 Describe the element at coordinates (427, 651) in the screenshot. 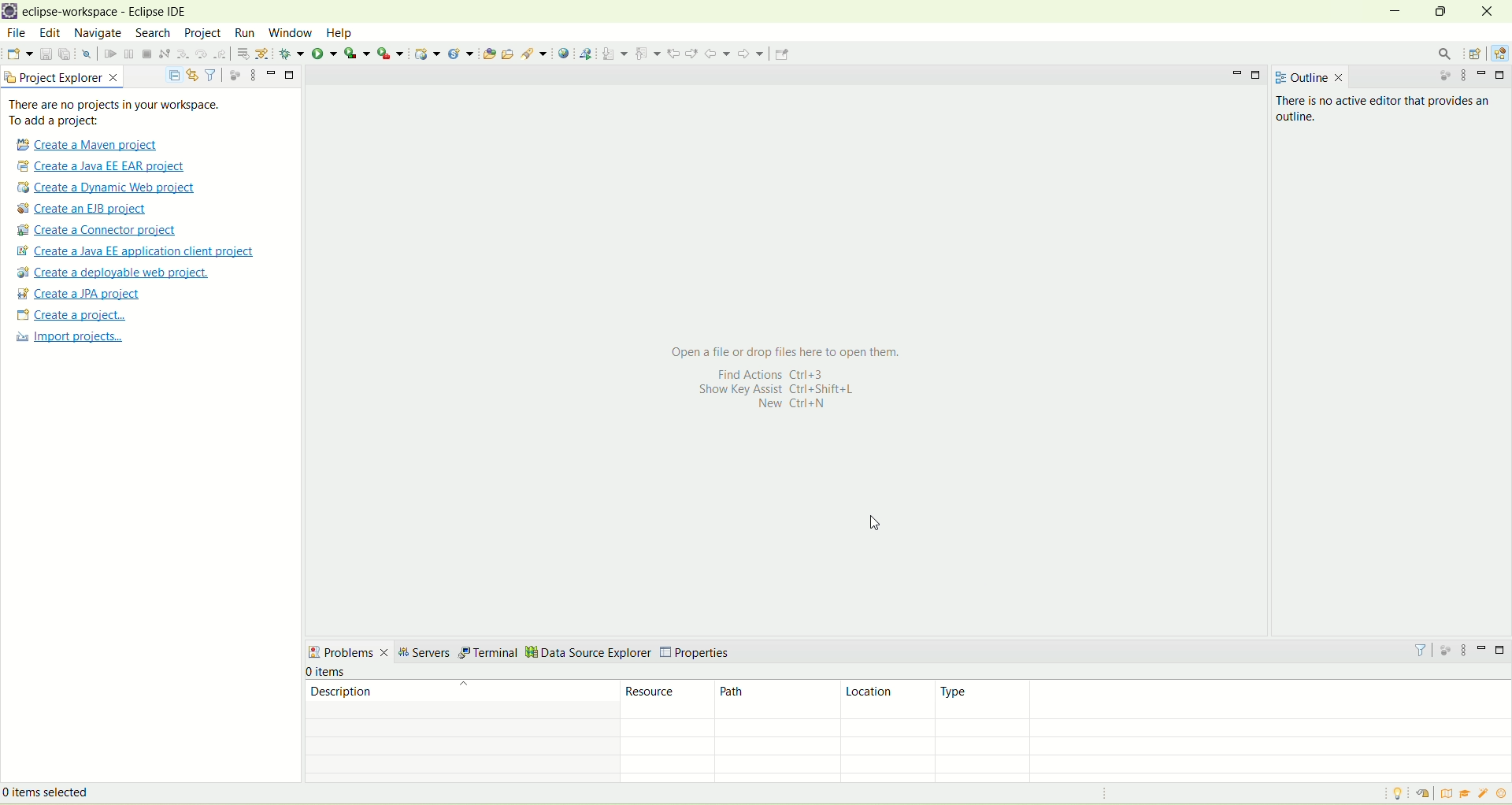

I see `servers` at that location.